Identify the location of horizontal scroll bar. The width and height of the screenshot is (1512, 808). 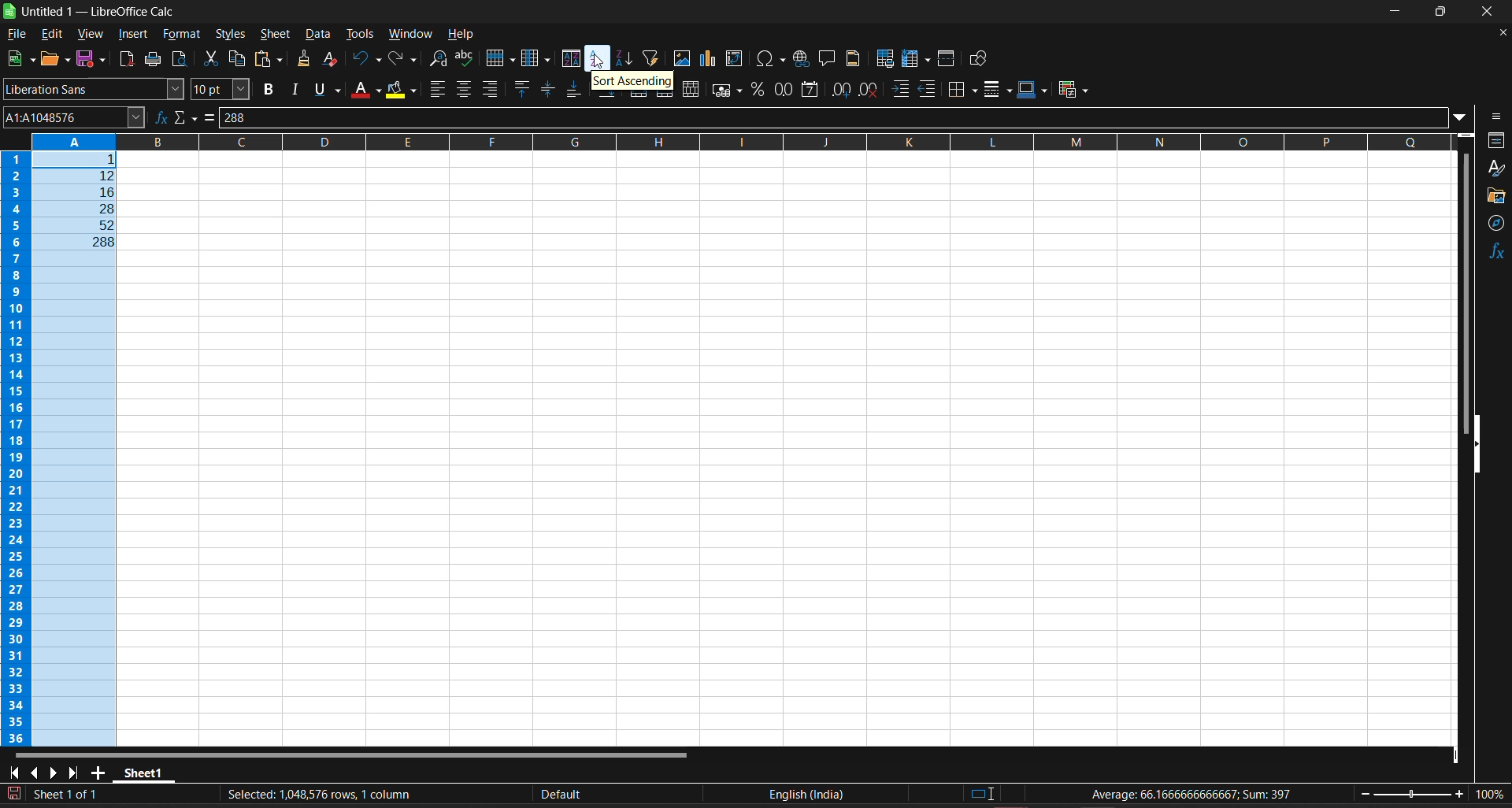
(350, 753).